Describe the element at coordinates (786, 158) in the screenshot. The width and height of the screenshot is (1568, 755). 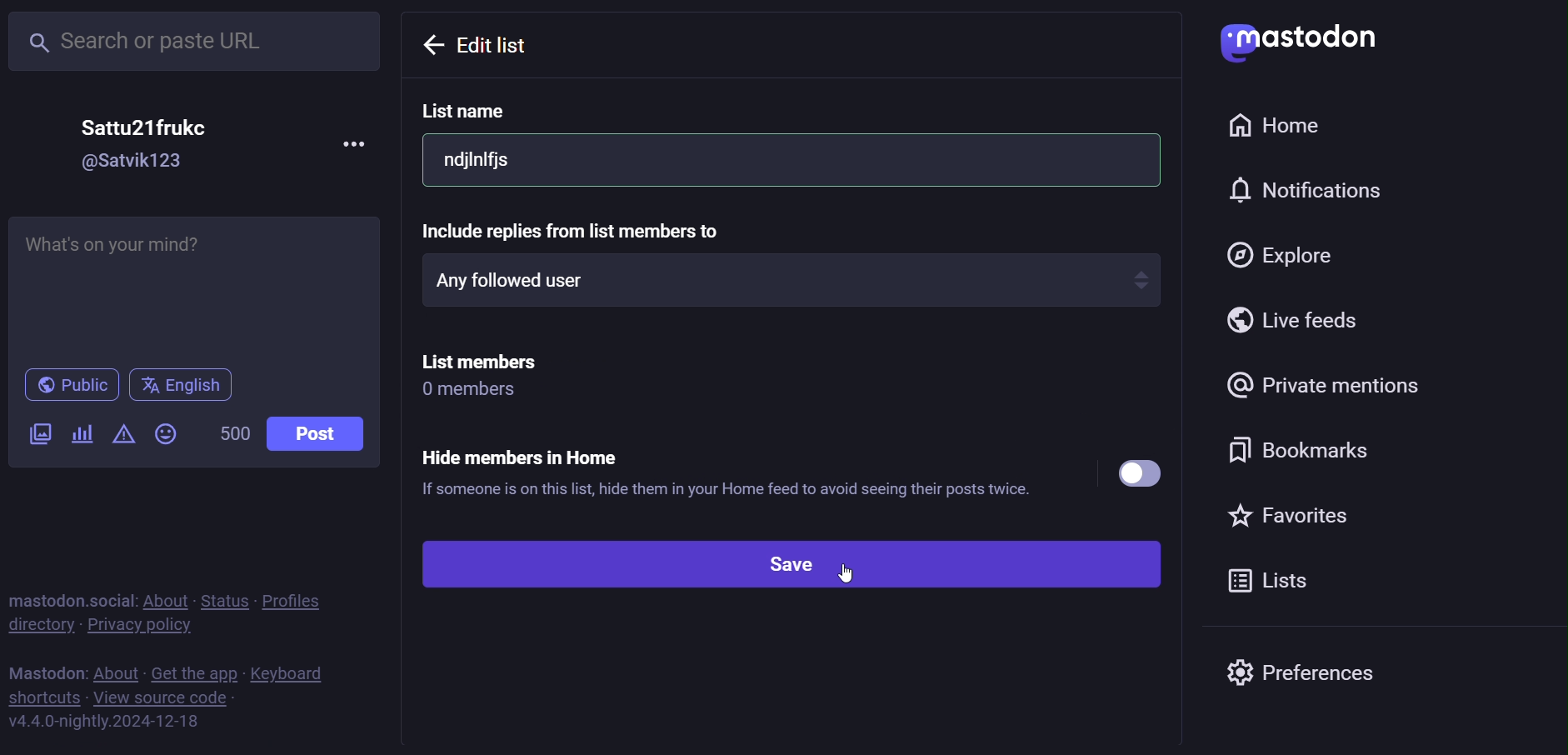
I see `ndjinifjs` at that location.